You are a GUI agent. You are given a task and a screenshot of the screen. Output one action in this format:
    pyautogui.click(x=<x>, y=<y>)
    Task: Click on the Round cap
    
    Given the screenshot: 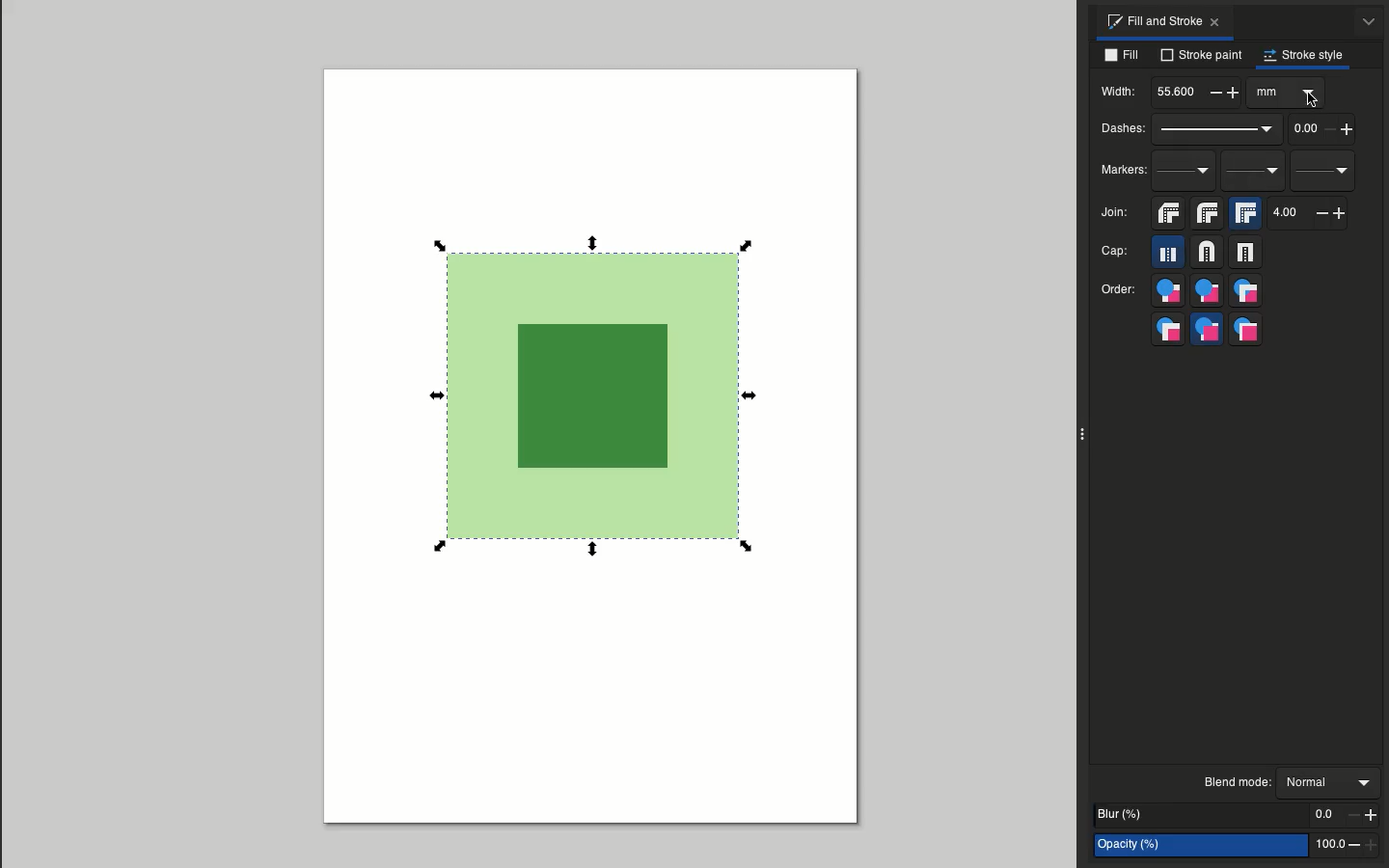 What is the action you would take?
    pyautogui.click(x=1208, y=254)
    